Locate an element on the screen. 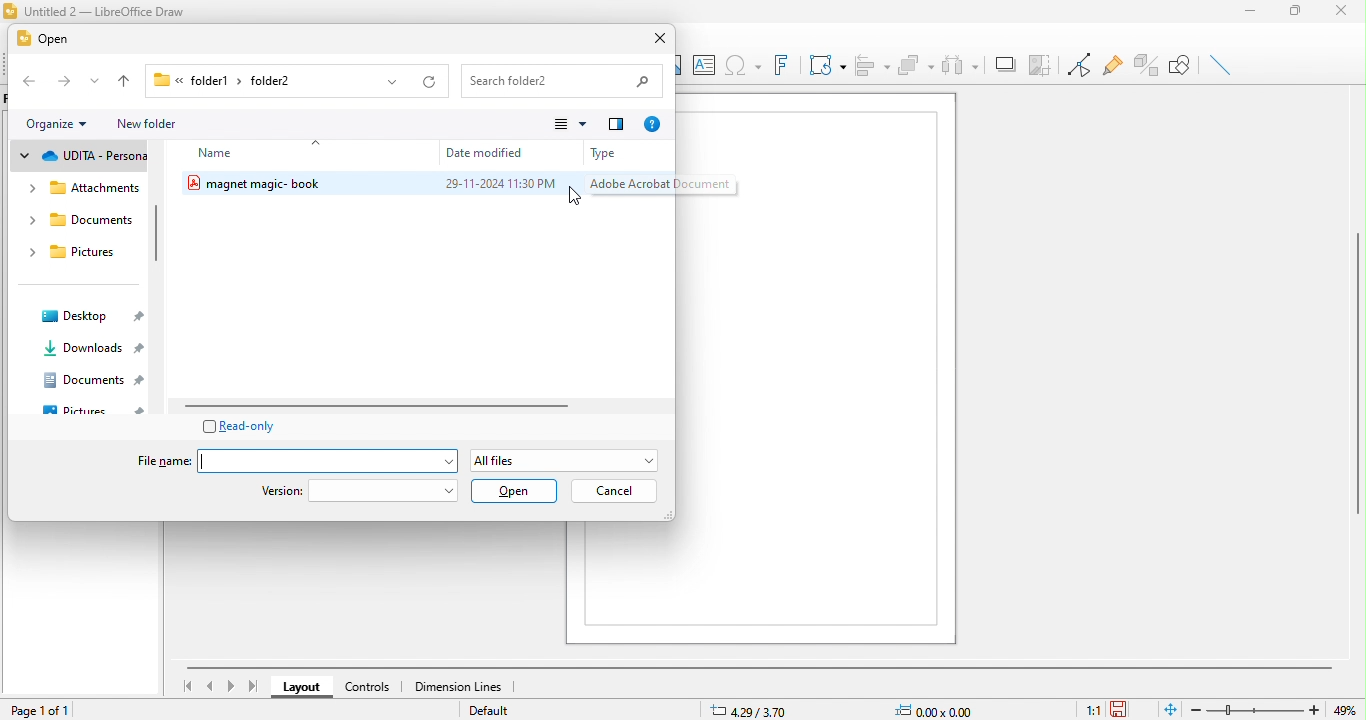 Image resolution: width=1366 pixels, height=720 pixels. gluepoint function is located at coordinates (1111, 67).